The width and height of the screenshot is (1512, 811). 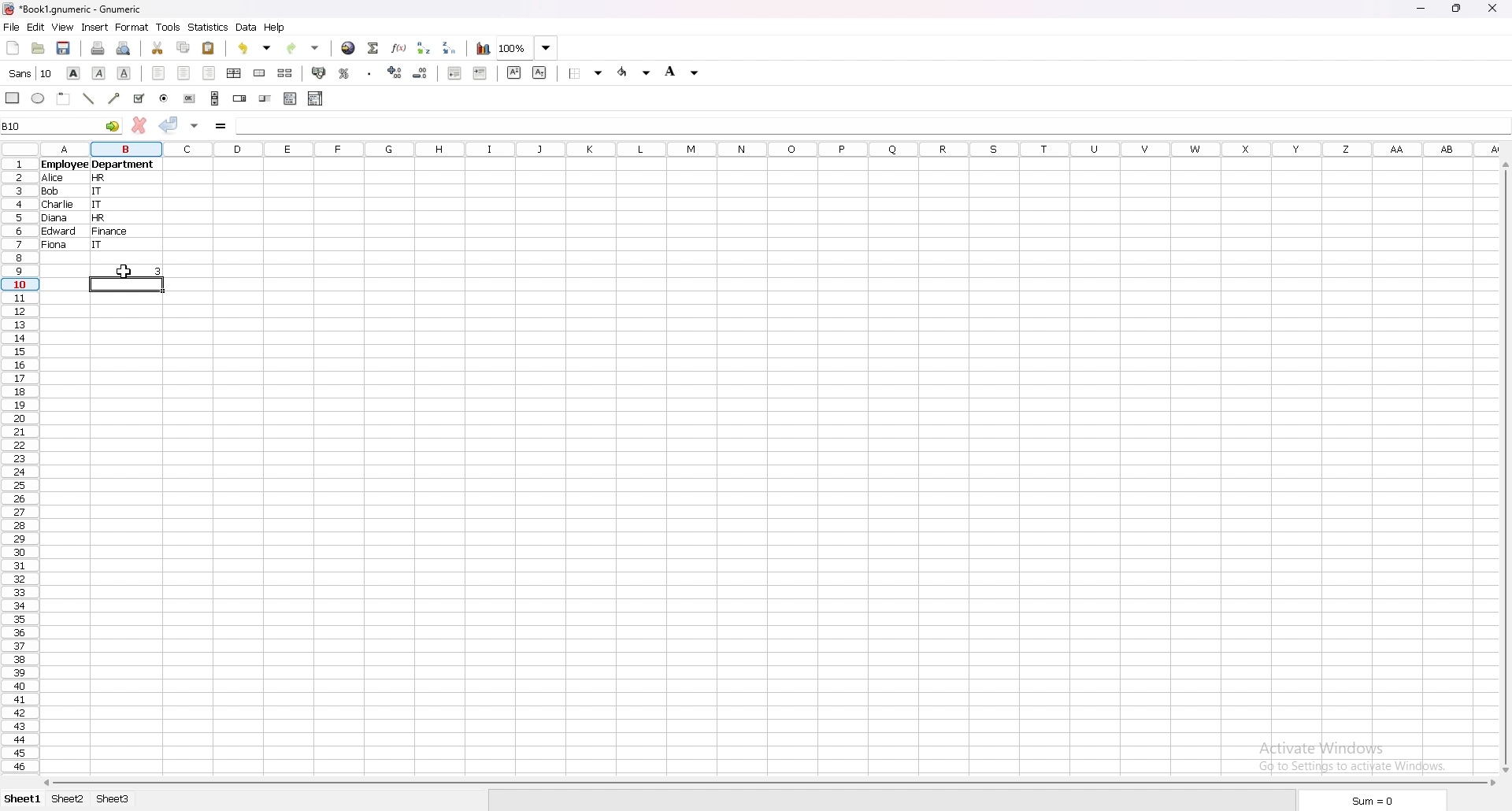 I want to click on line, so click(x=87, y=99).